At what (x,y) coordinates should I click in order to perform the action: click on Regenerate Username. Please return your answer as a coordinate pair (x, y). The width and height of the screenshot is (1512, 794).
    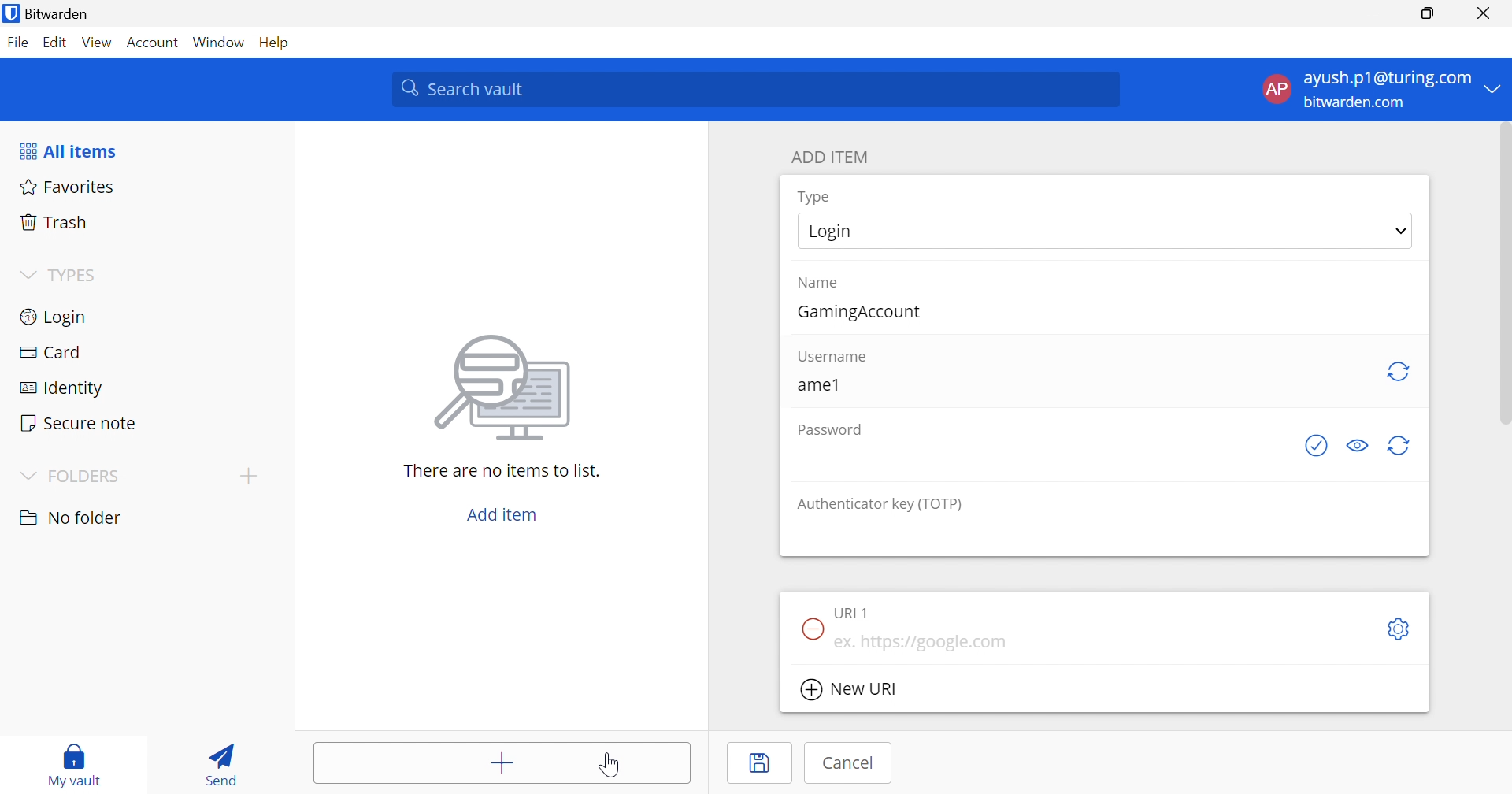
    Looking at the image, I should click on (1400, 371).